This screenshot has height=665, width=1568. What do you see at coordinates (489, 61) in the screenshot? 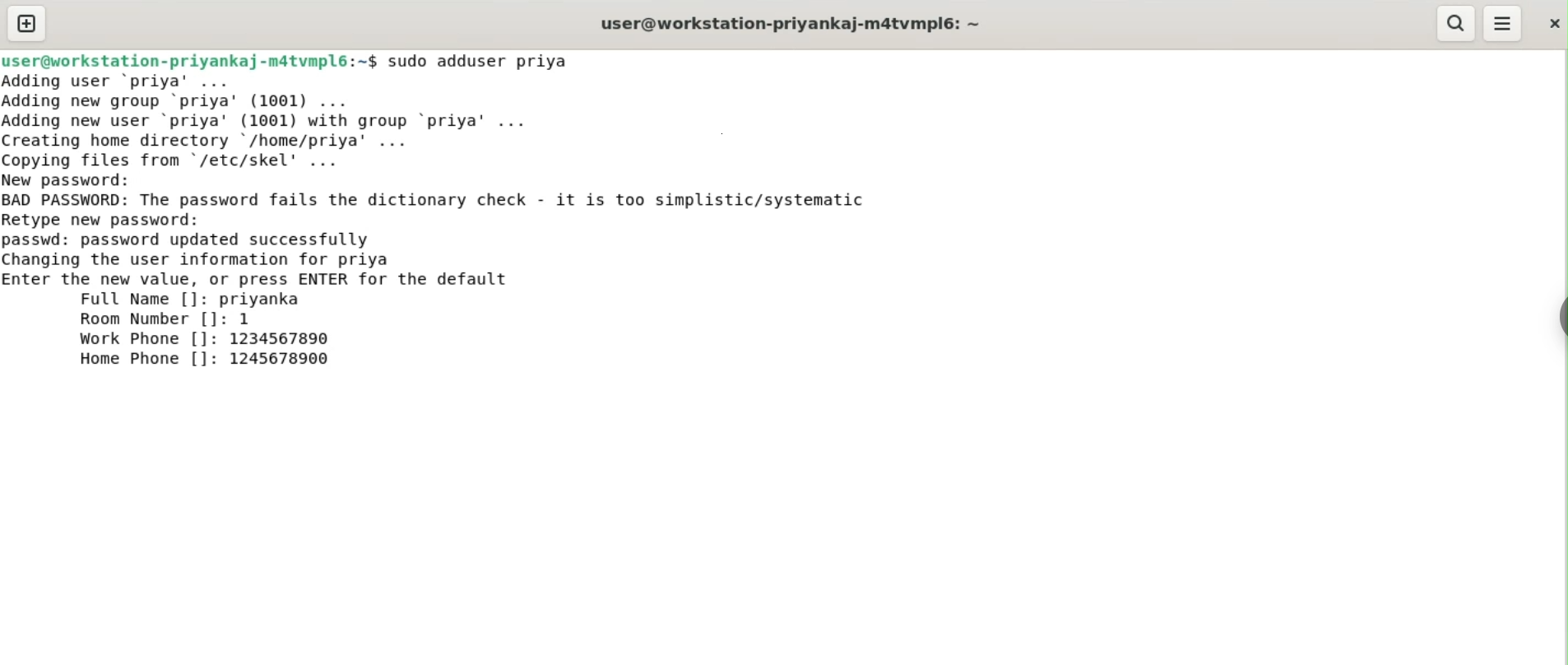
I see `sudo adduser priya` at bounding box center [489, 61].